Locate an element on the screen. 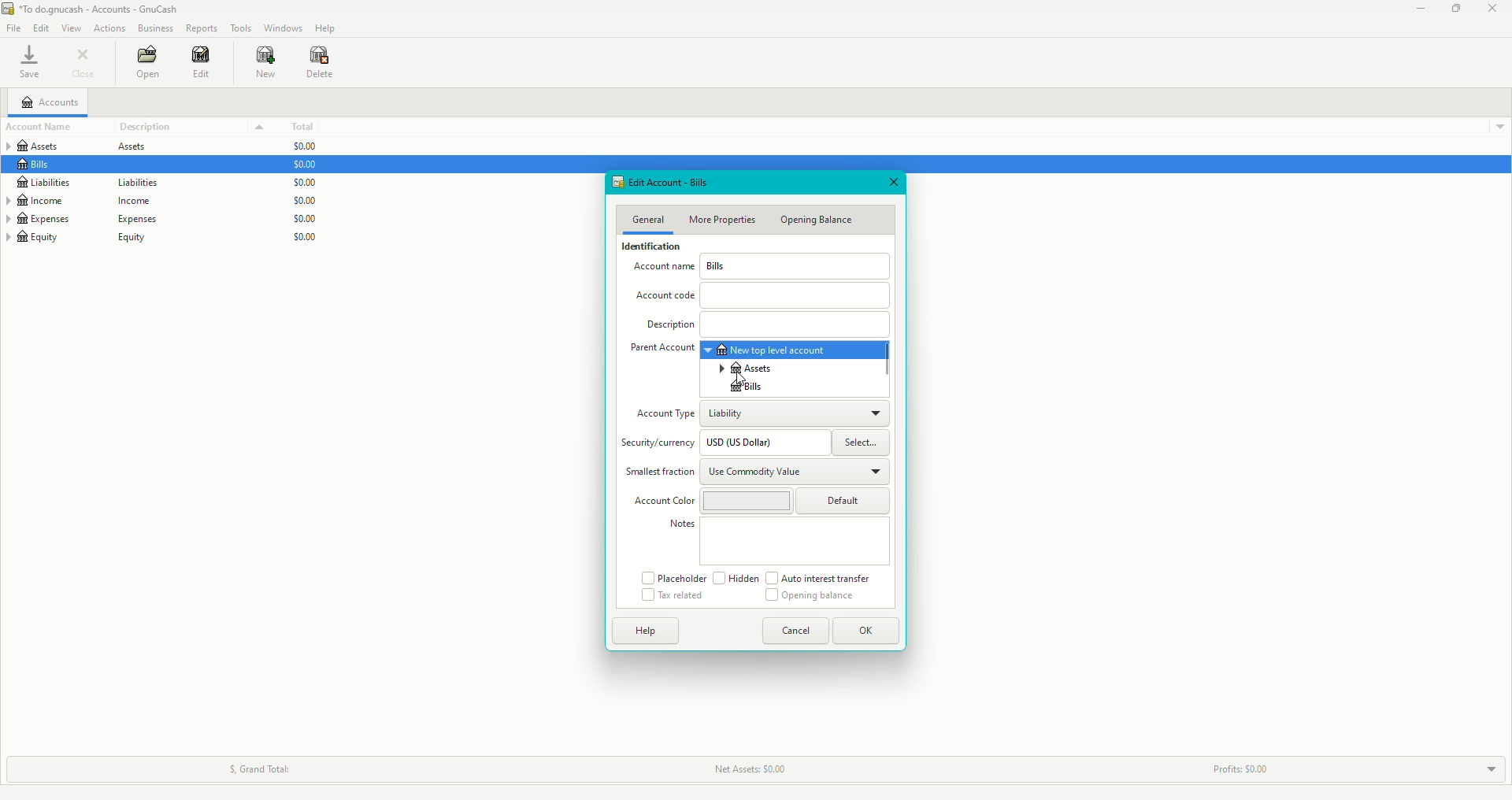 The height and width of the screenshot is (800, 1512). Actions is located at coordinates (108, 27).